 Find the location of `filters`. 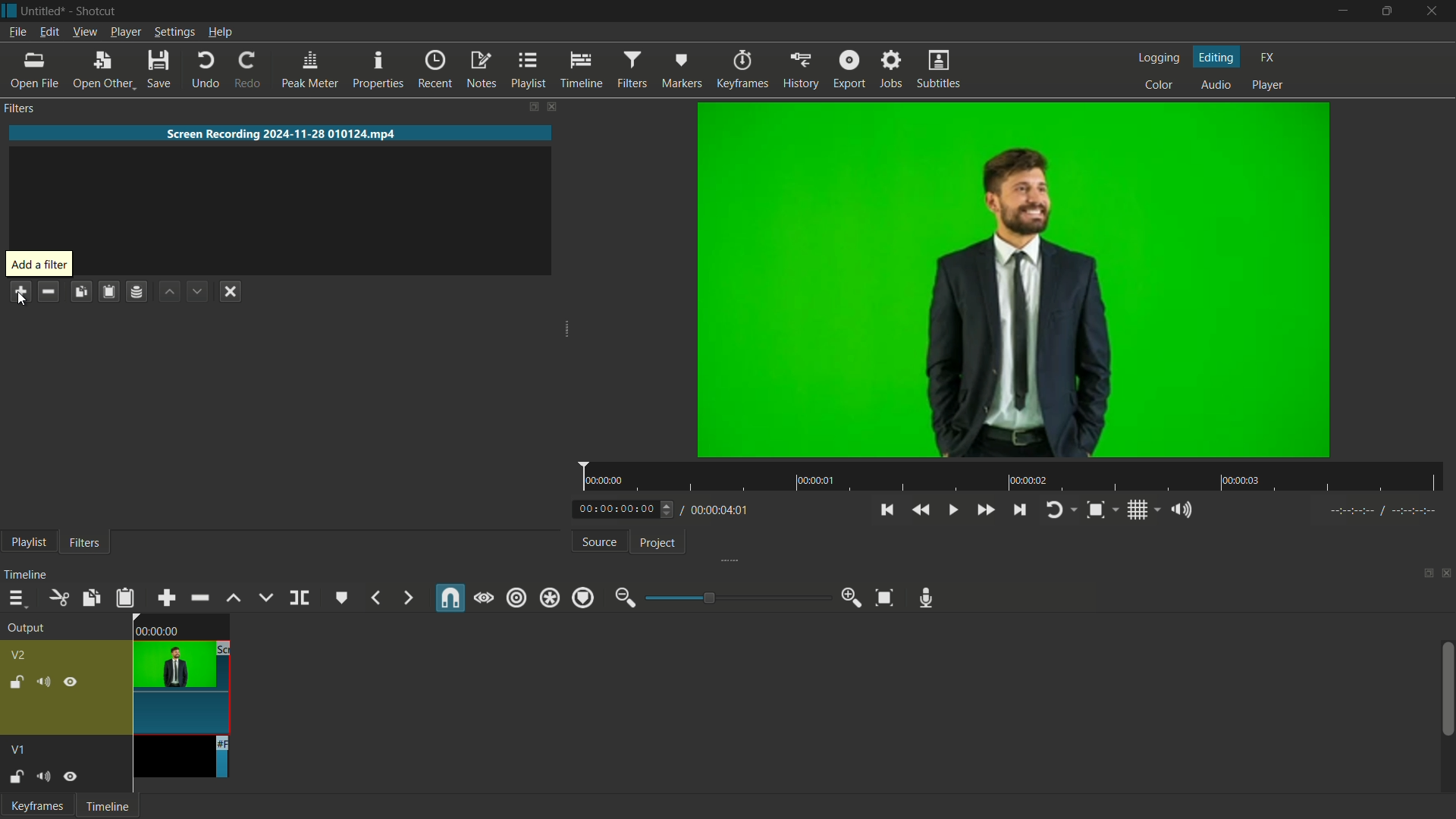

filters is located at coordinates (631, 71).